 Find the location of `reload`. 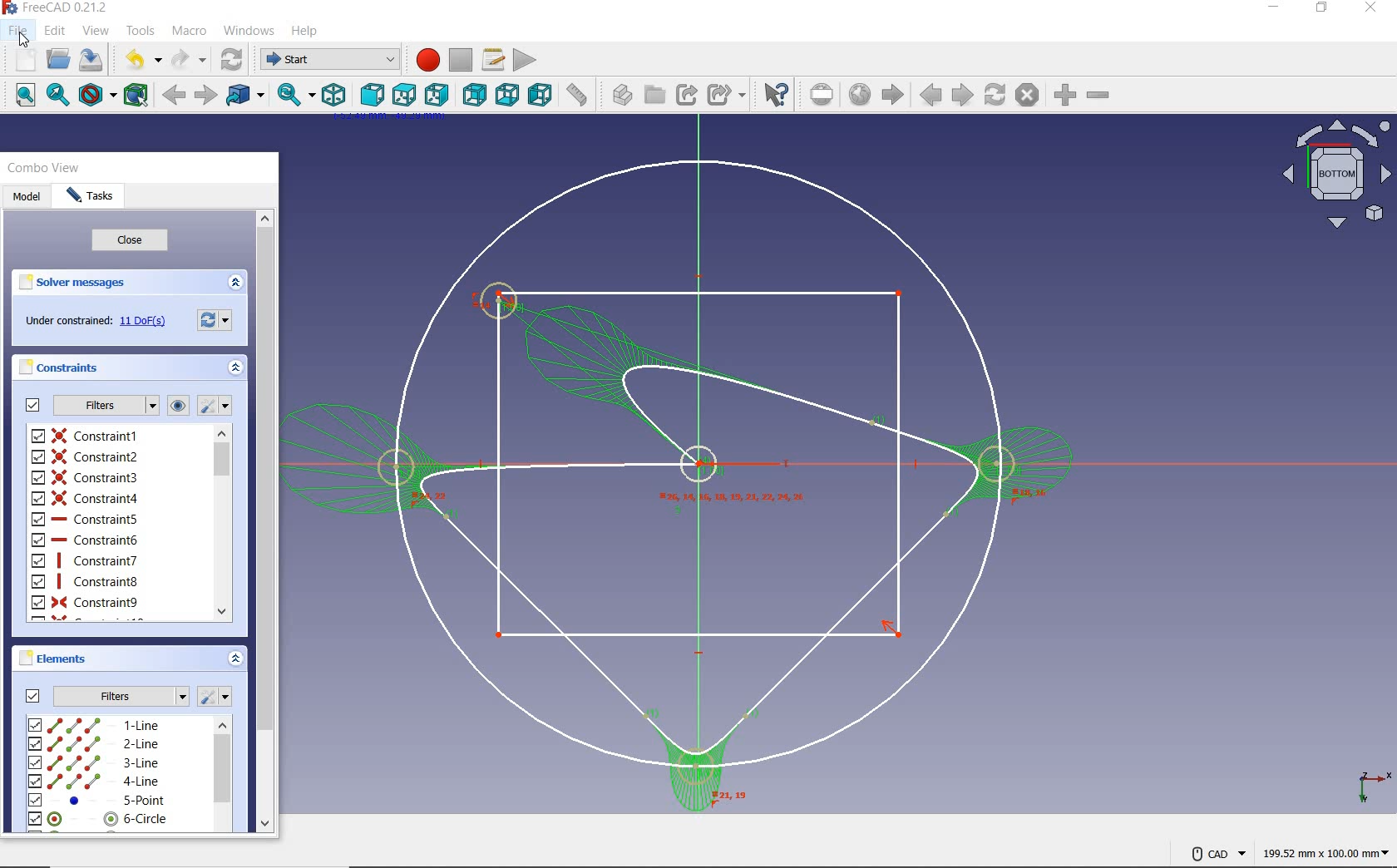

reload is located at coordinates (214, 318).